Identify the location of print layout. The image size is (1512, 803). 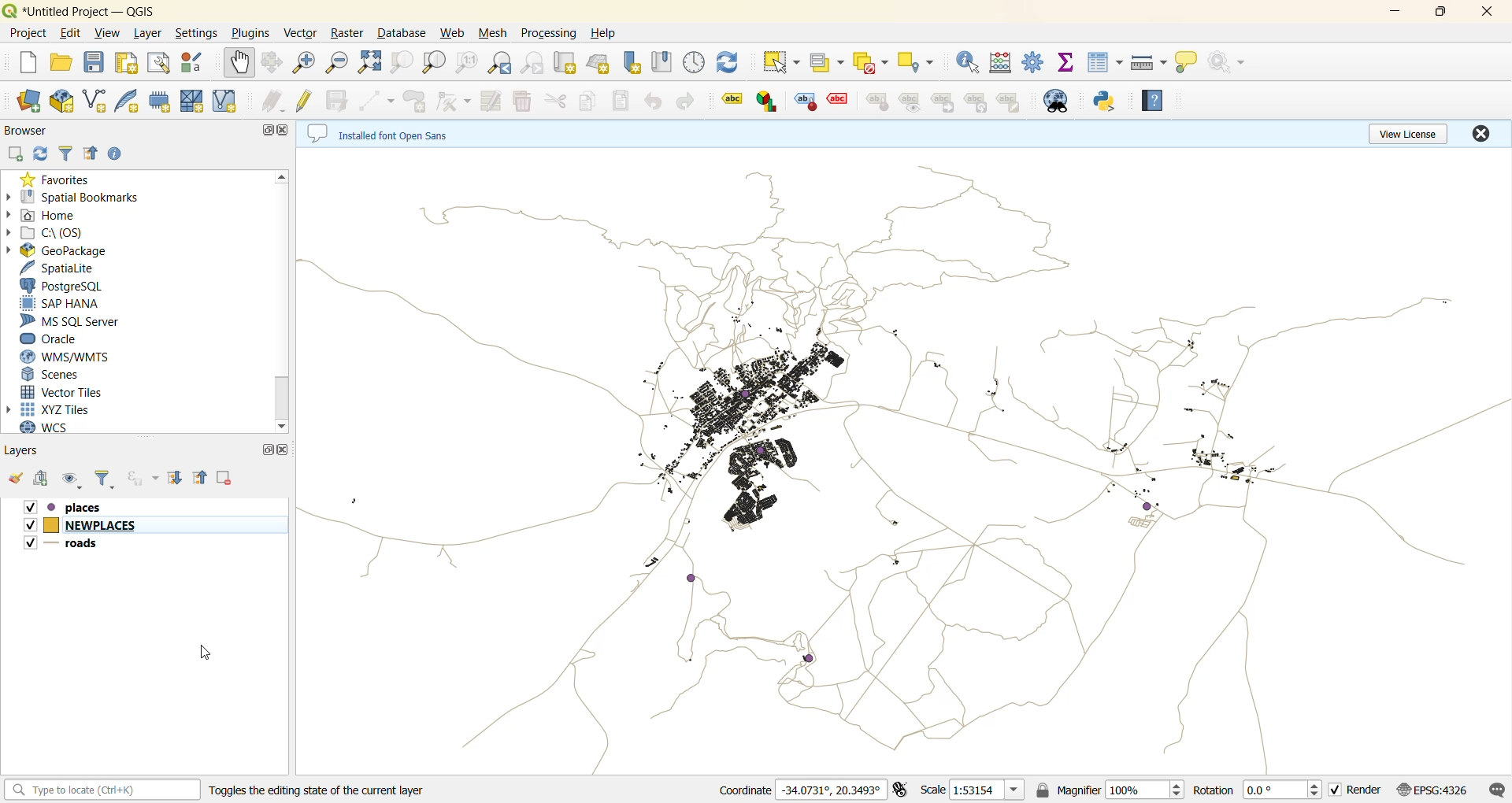
(126, 65).